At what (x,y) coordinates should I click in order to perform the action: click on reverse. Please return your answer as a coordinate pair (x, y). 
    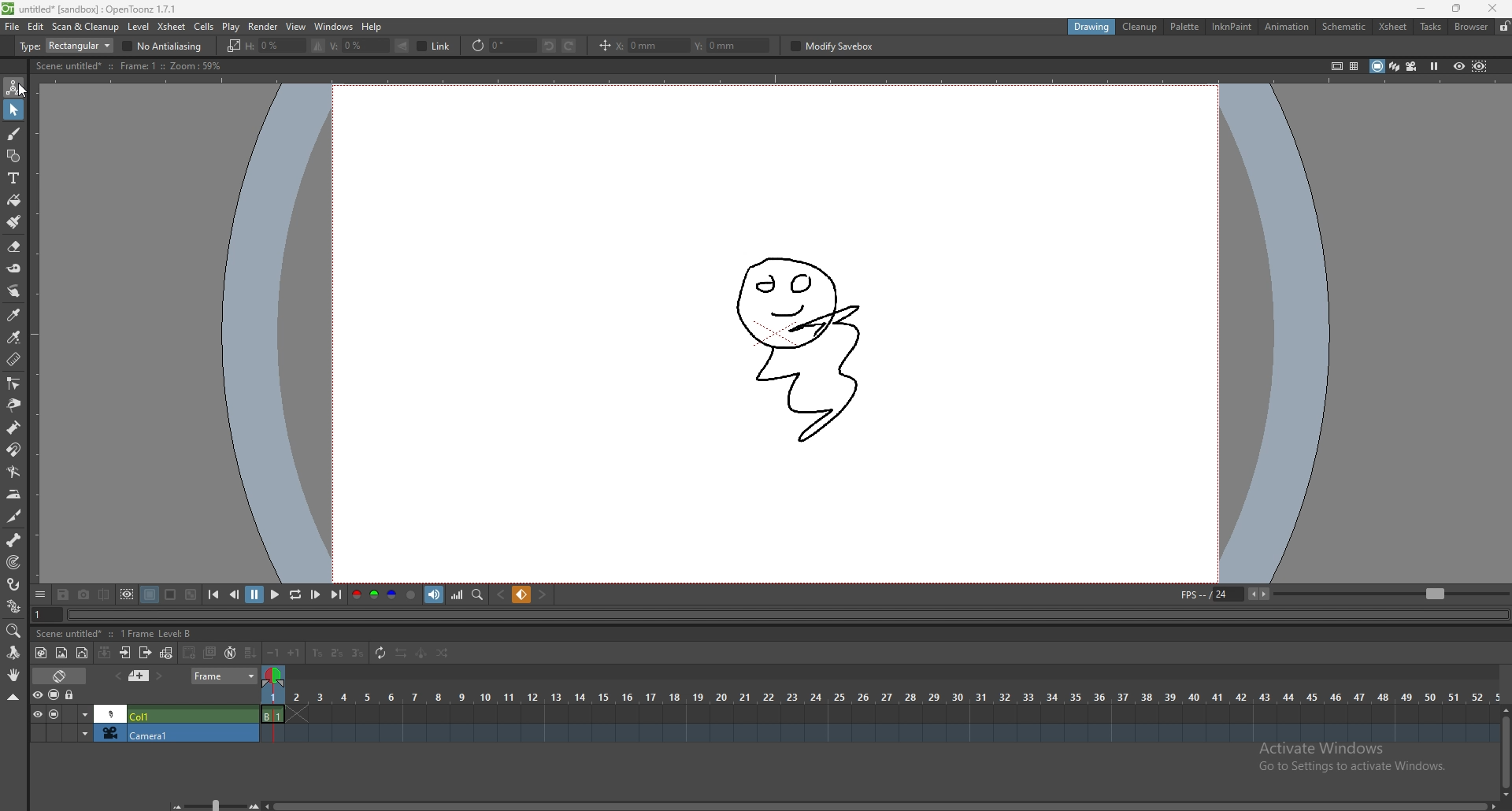
    Looking at the image, I should click on (399, 653).